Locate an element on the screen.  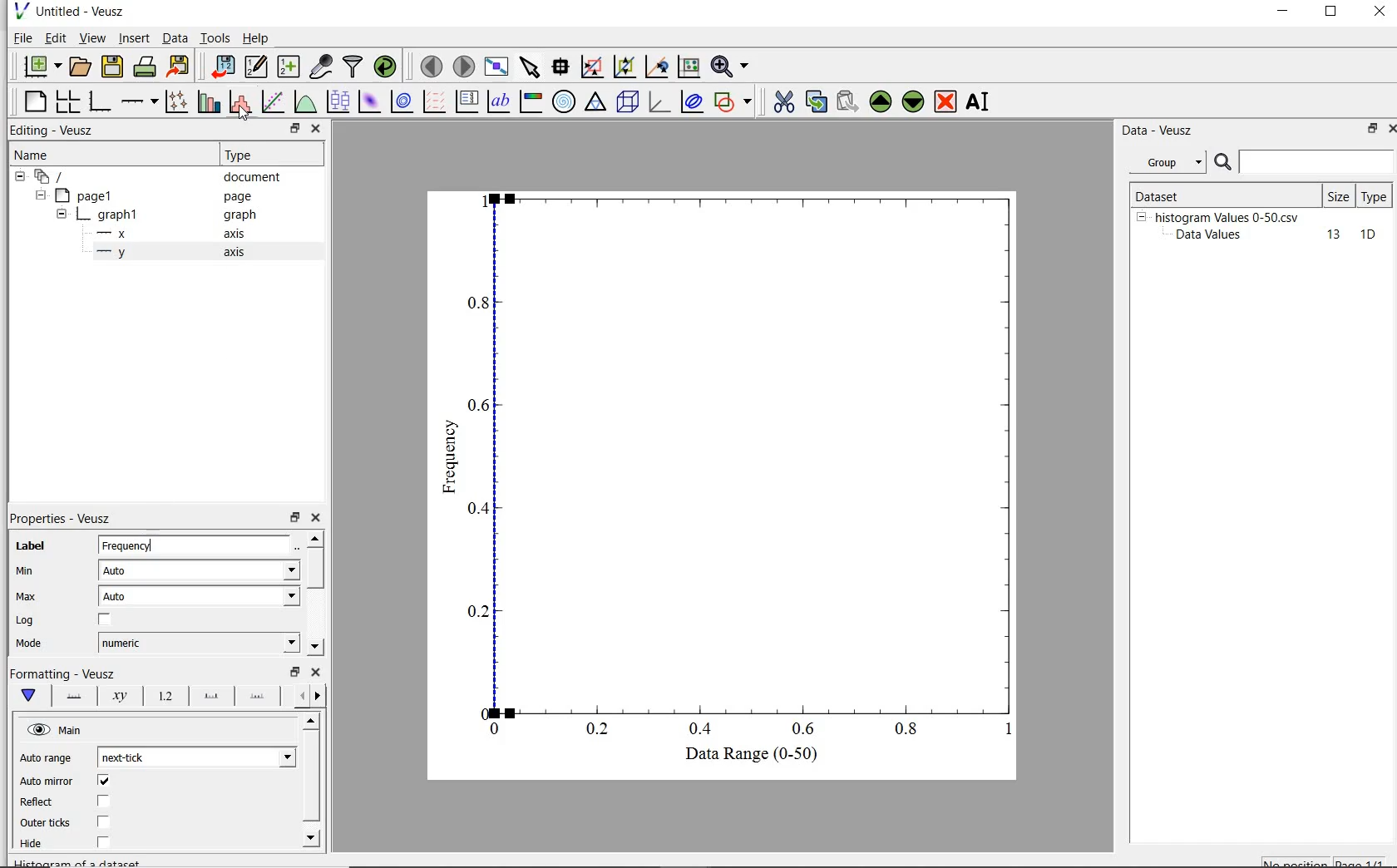
base graph is located at coordinates (101, 101).